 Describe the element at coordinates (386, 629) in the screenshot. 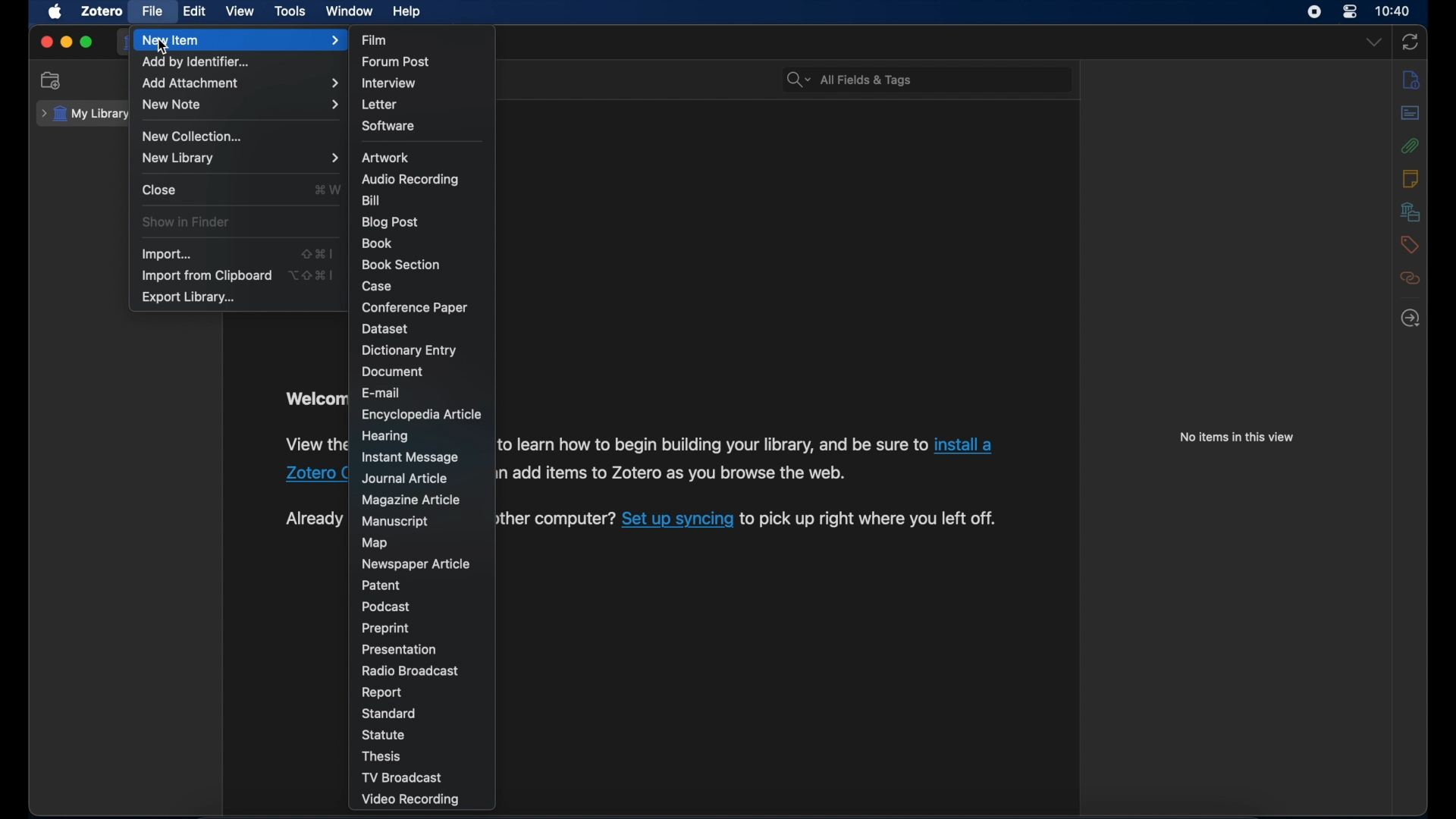

I see `preprint` at that location.